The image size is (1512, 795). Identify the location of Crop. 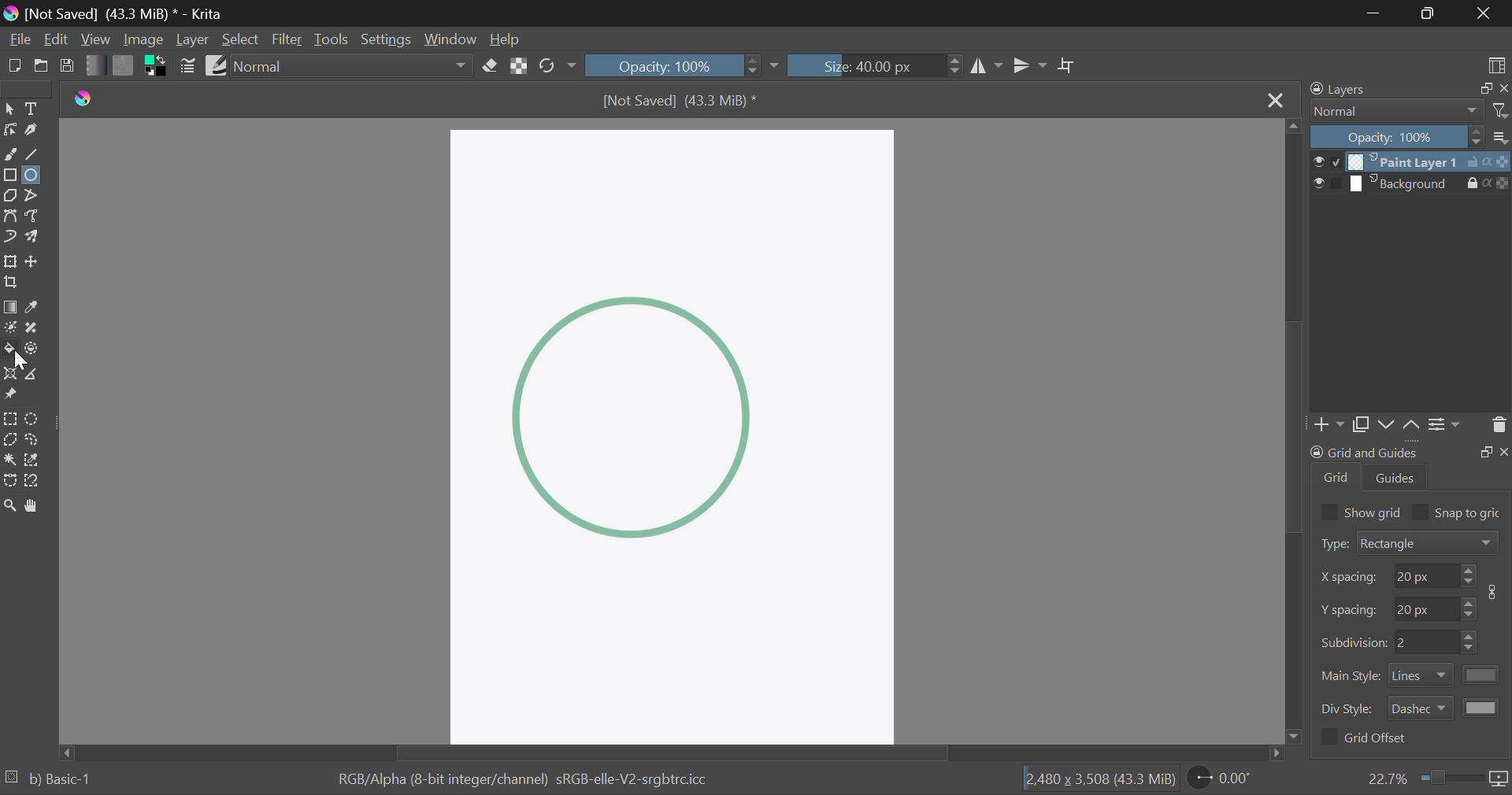
(1068, 66).